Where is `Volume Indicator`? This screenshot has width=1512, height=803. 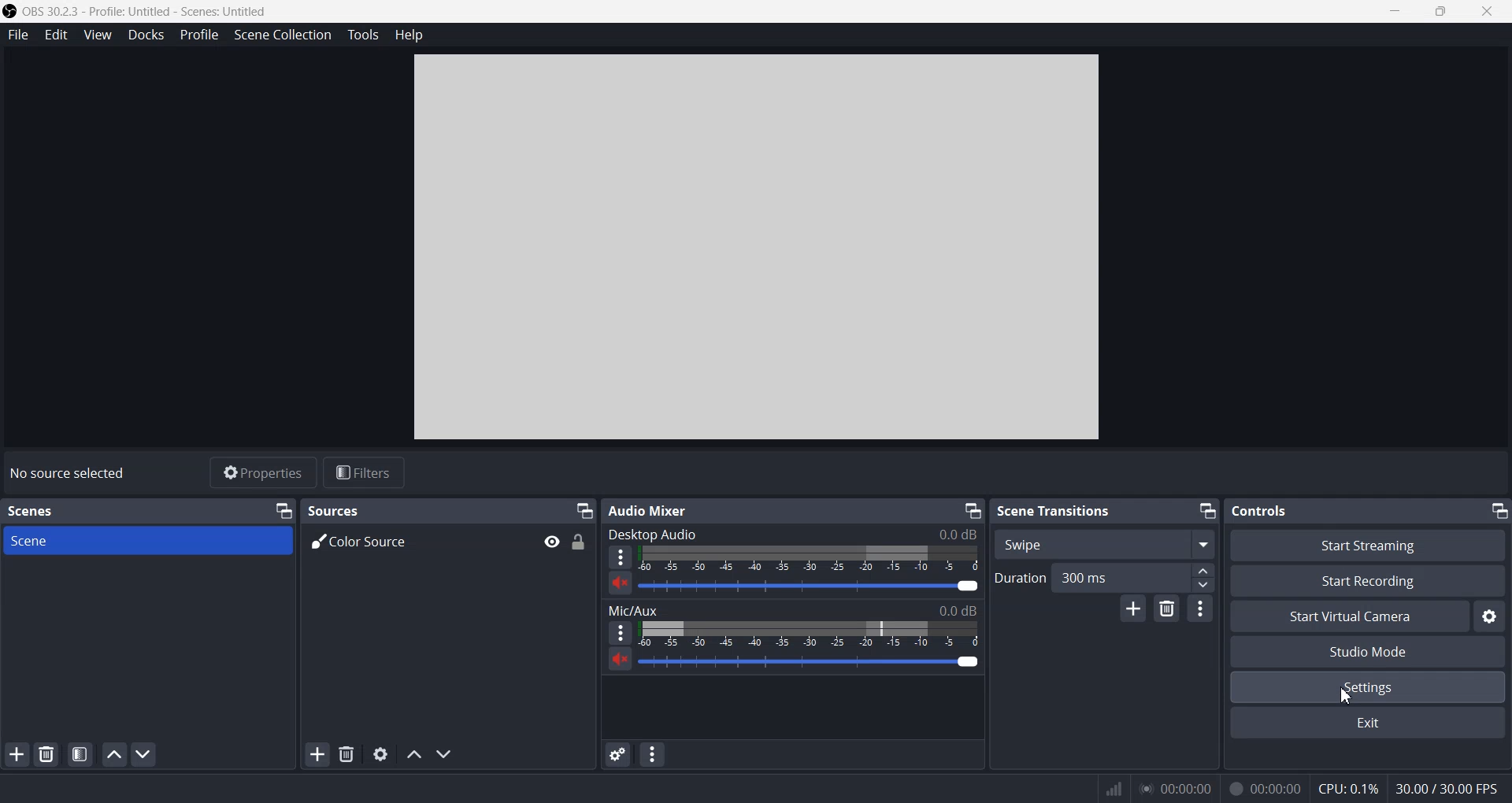
Volume Indicator is located at coordinates (810, 557).